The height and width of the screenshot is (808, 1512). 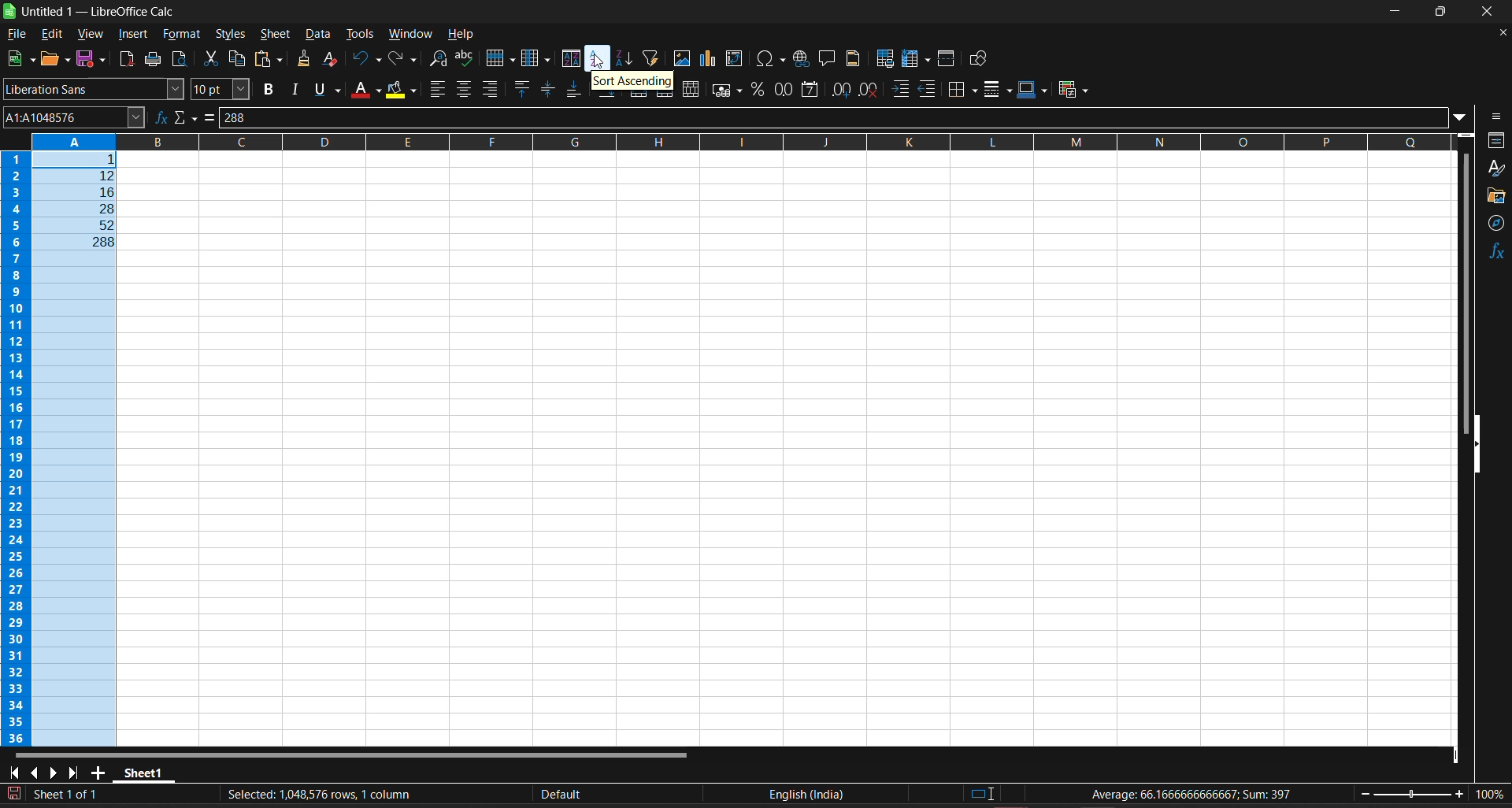 What do you see at coordinates (54, 59) in the screenshot?
I see `open` at bounding box center [54, 59].